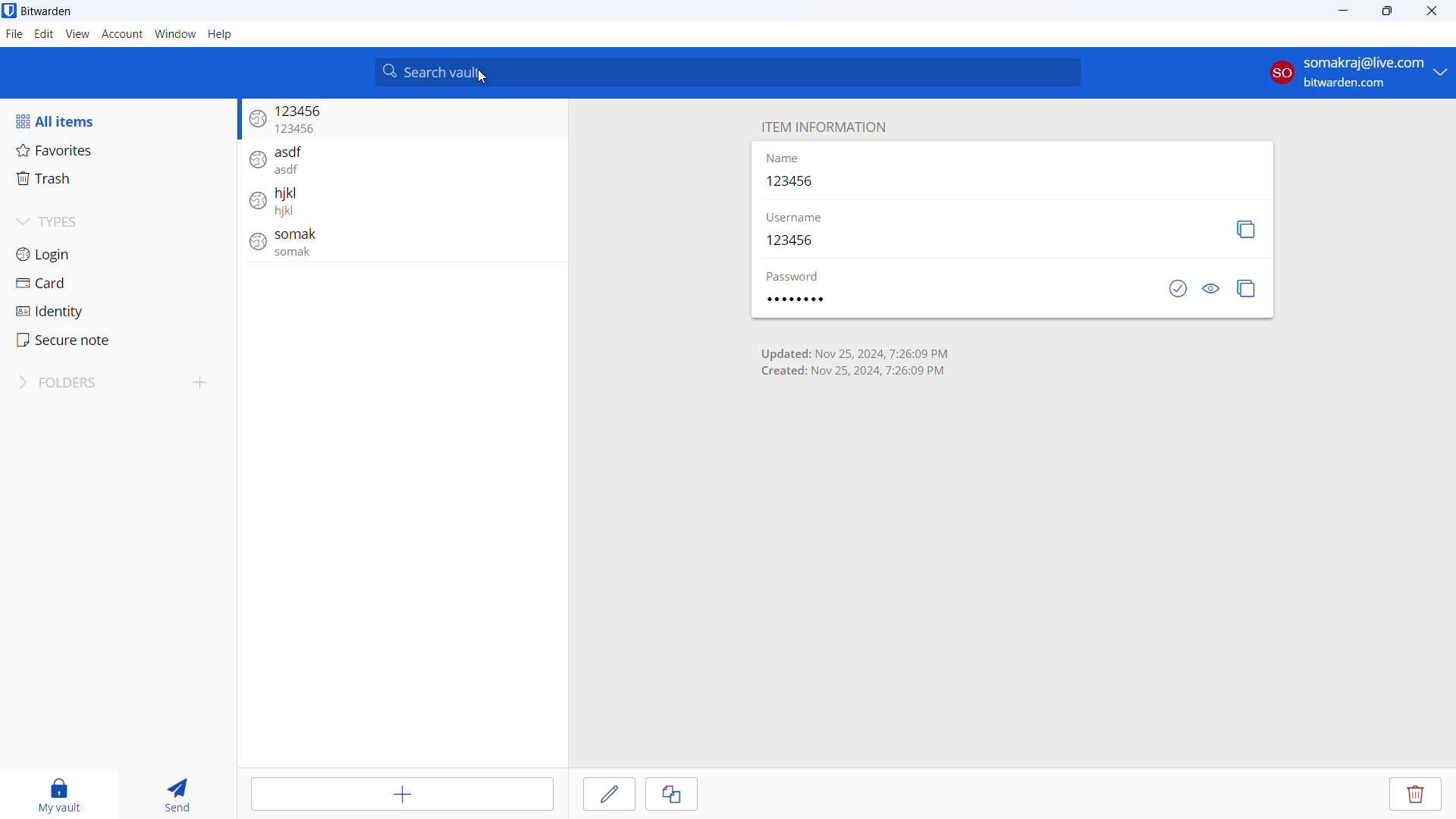 The width and height of the screenshot is (1456, 819). I want to click on login , so click(118, 254).